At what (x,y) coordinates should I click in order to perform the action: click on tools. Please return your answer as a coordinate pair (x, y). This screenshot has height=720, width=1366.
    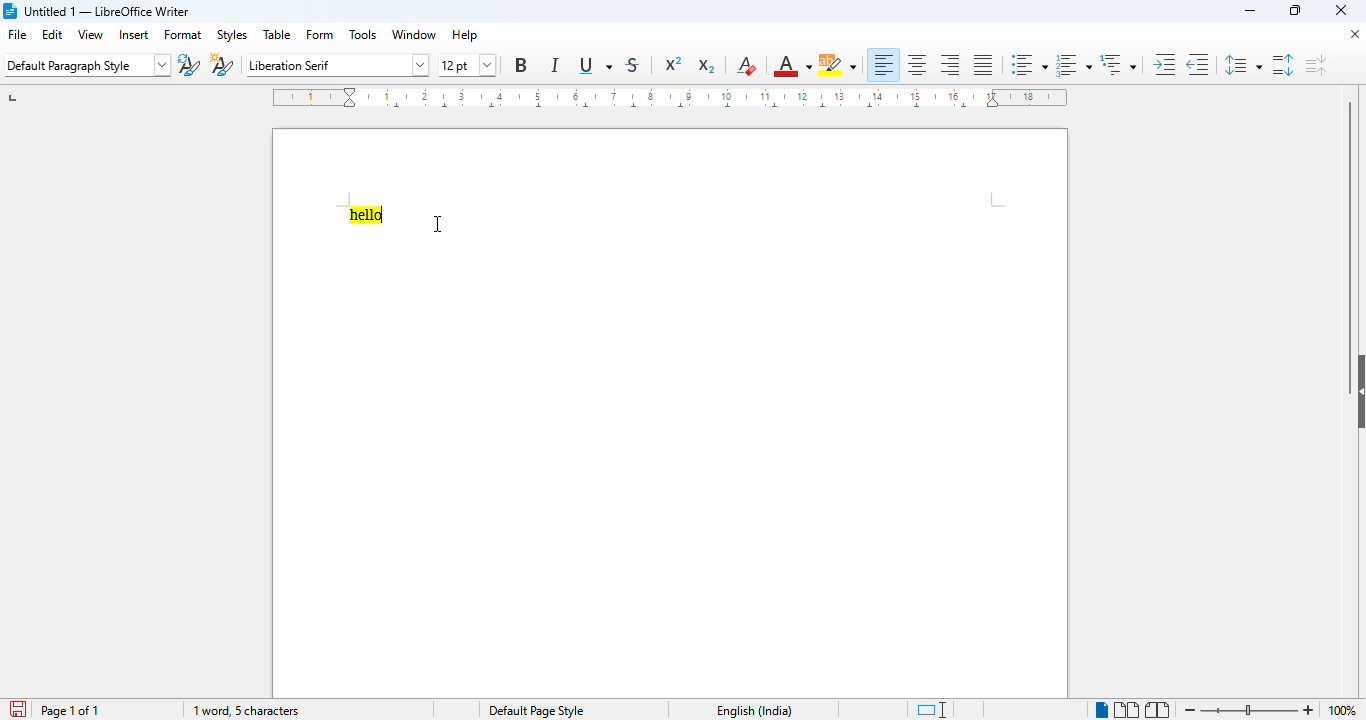
    Looking at the image, I should click on (363, 35).